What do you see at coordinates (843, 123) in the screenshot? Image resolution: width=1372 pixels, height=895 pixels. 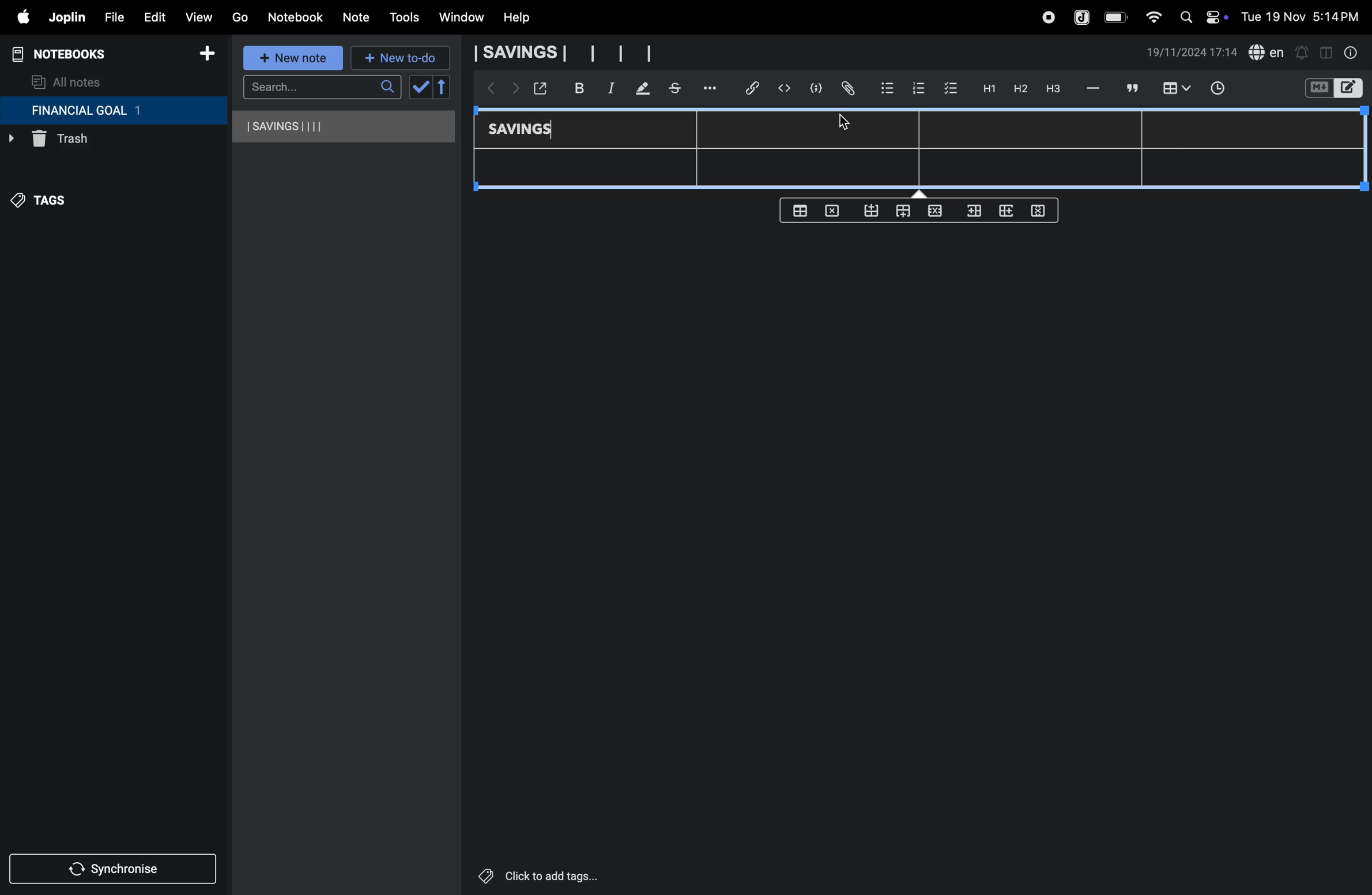 I see `cursor` at bounding box center [843, 123].